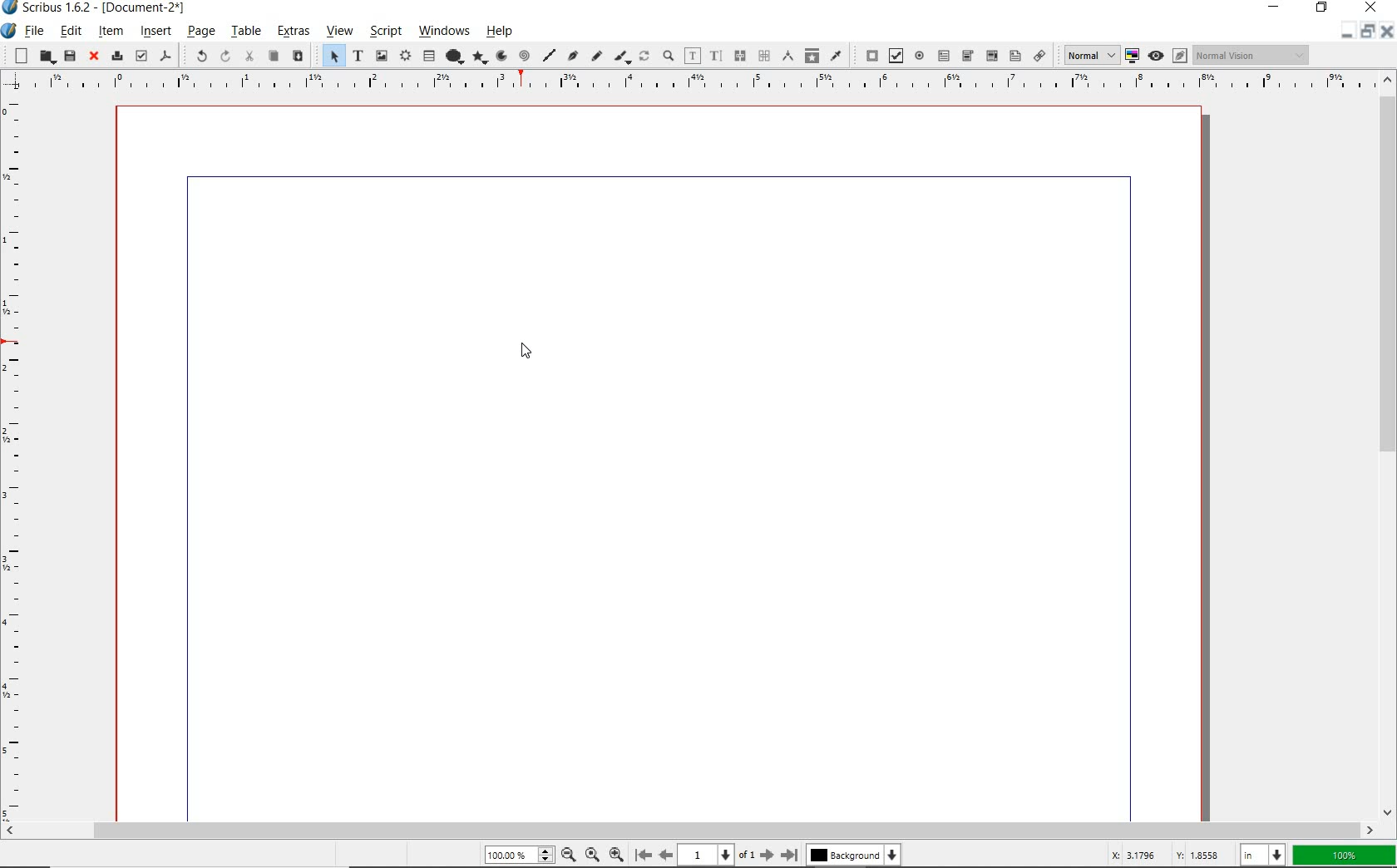  Describe the element at coordinates (225, 57) in the screenshot. I see `redo` at that location.